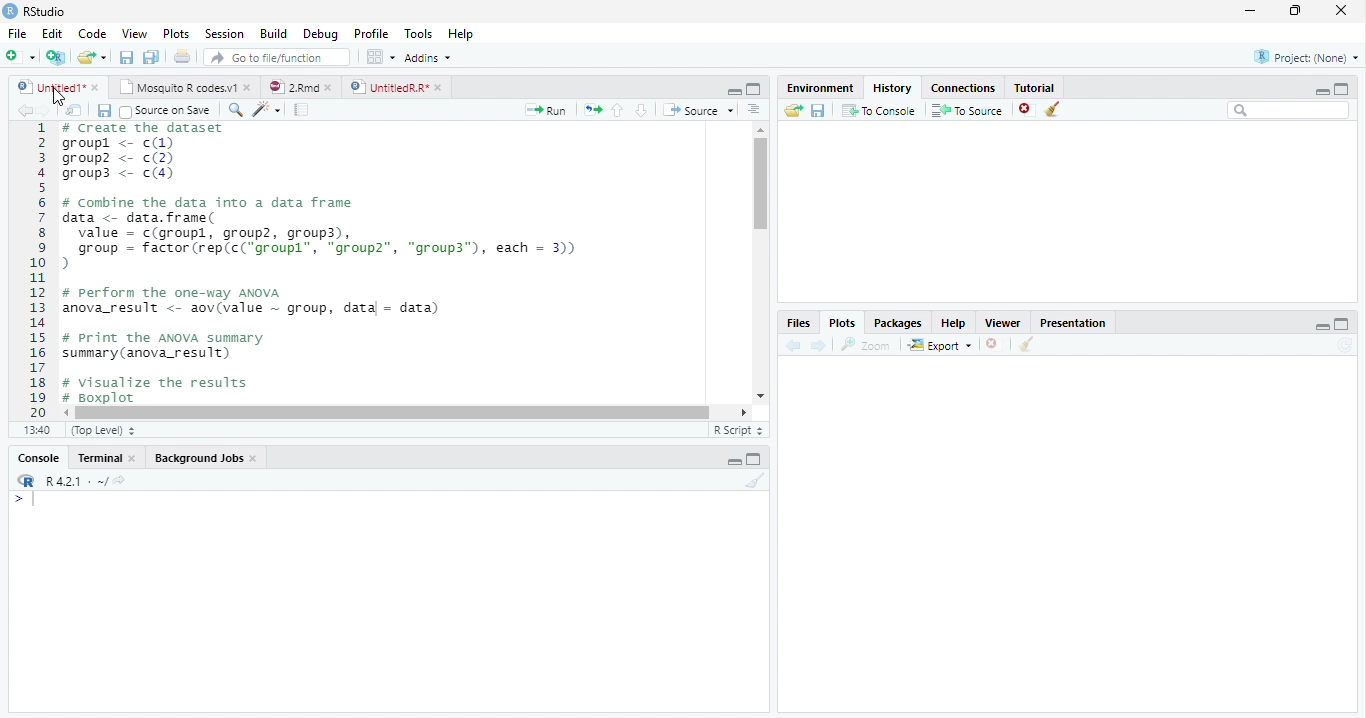 This screenshot has height=718, width=1366. I want to click on Scrollbar, so click(758, 264).